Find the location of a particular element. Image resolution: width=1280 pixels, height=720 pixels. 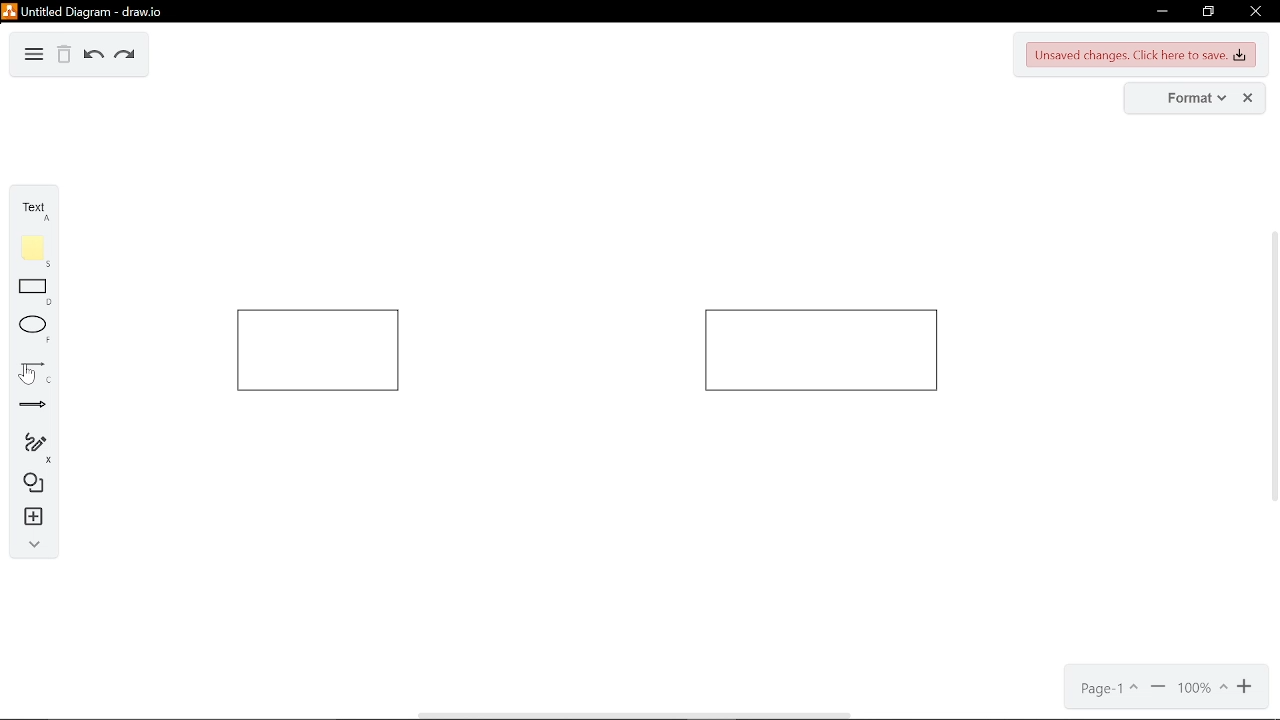

zoom out is located at coordinates (1158, 691).